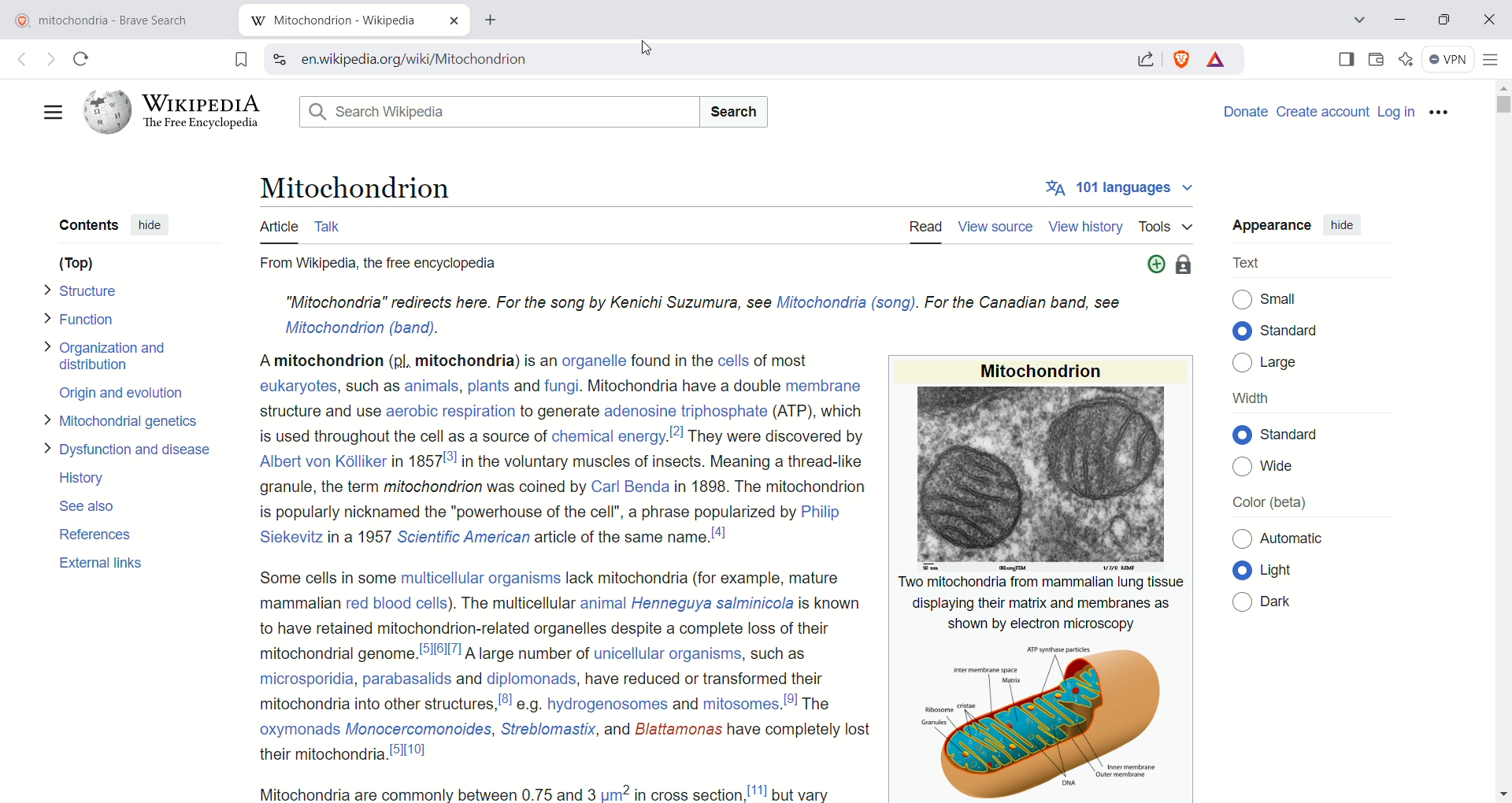 Image resolution: width=1512 pixels, height=803 pixels. I want to click on Toggle off, so click(1240, 300).